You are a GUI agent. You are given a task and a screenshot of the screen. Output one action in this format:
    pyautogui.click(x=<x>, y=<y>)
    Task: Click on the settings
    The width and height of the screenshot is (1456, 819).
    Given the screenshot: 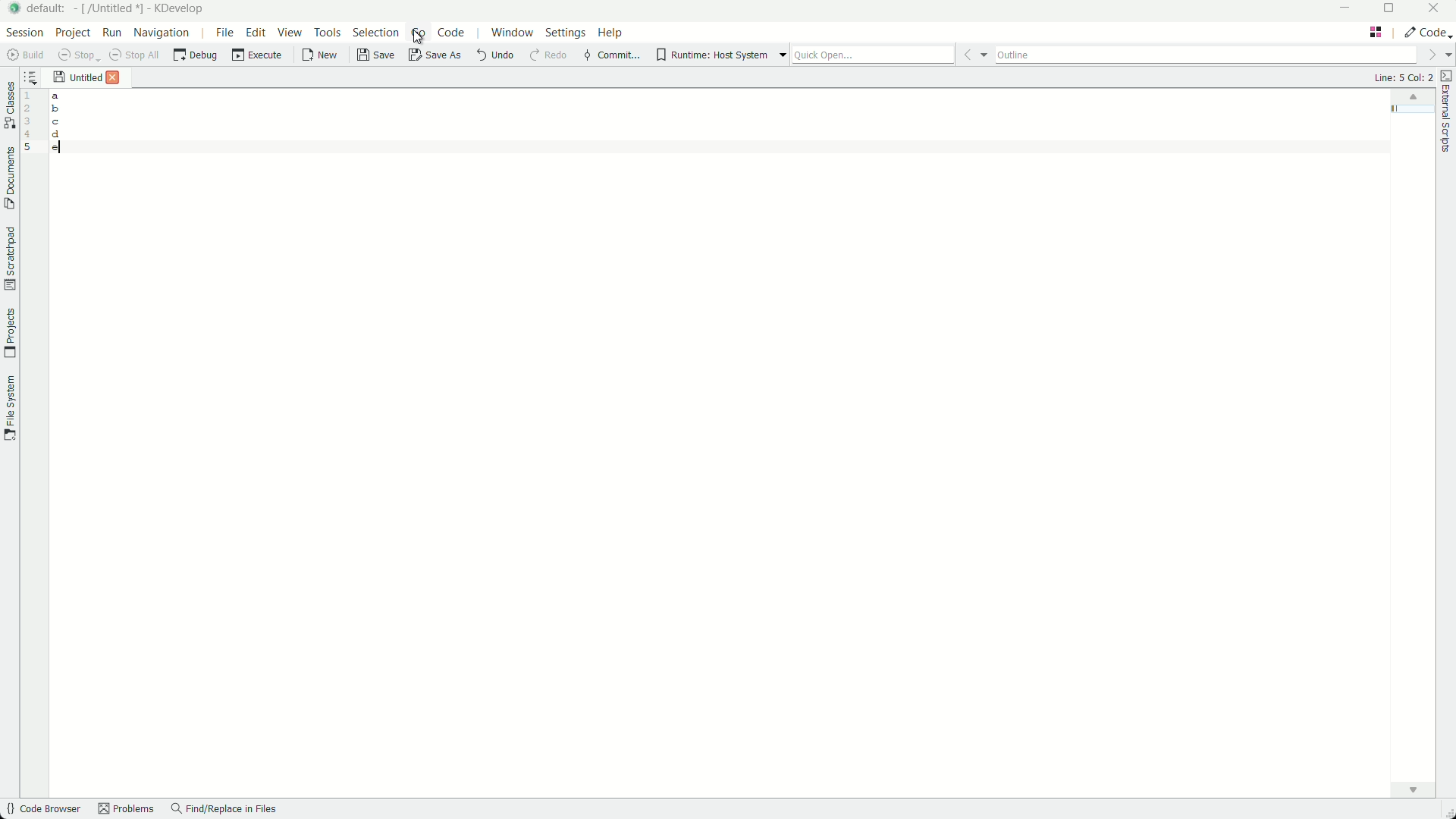 What is the action you would take?
    pyautogui.click(x=563, y=35)
    